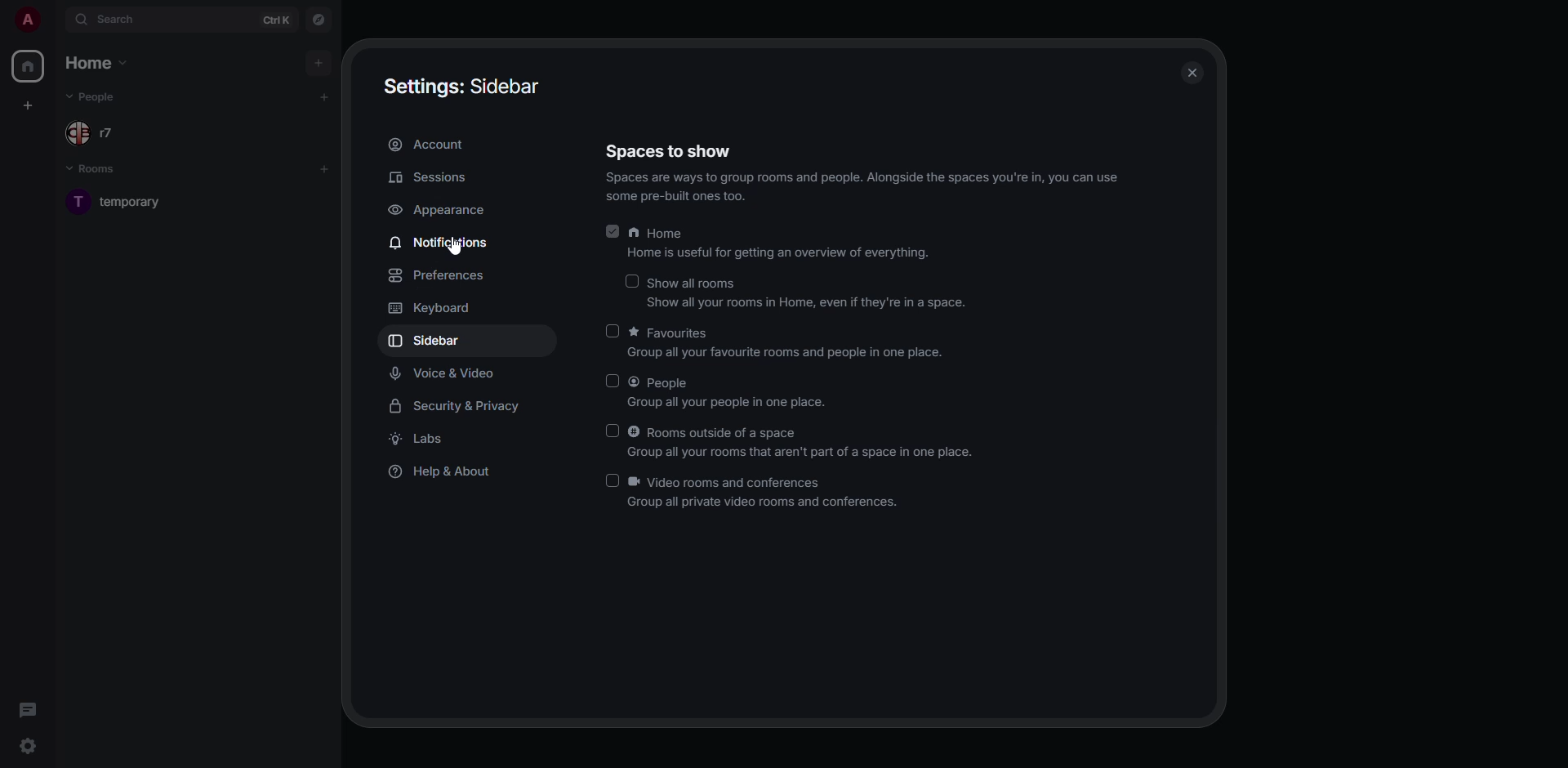  What do you see at coordinates (104, 135) in the screenshot?
I see `people` at bounding box center [104, 135].